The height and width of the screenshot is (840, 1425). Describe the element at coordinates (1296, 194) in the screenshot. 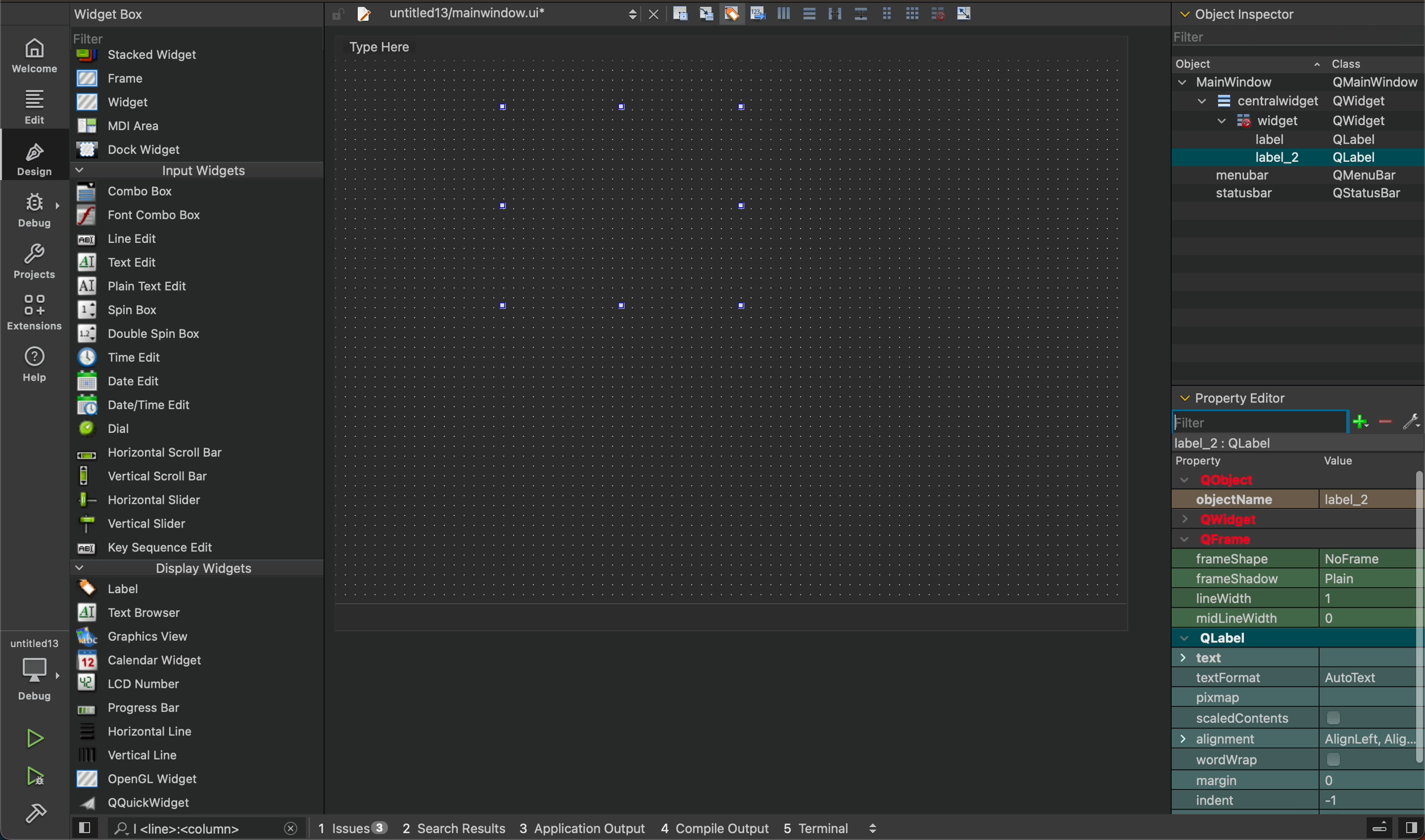

I see `object inspector` at that location.